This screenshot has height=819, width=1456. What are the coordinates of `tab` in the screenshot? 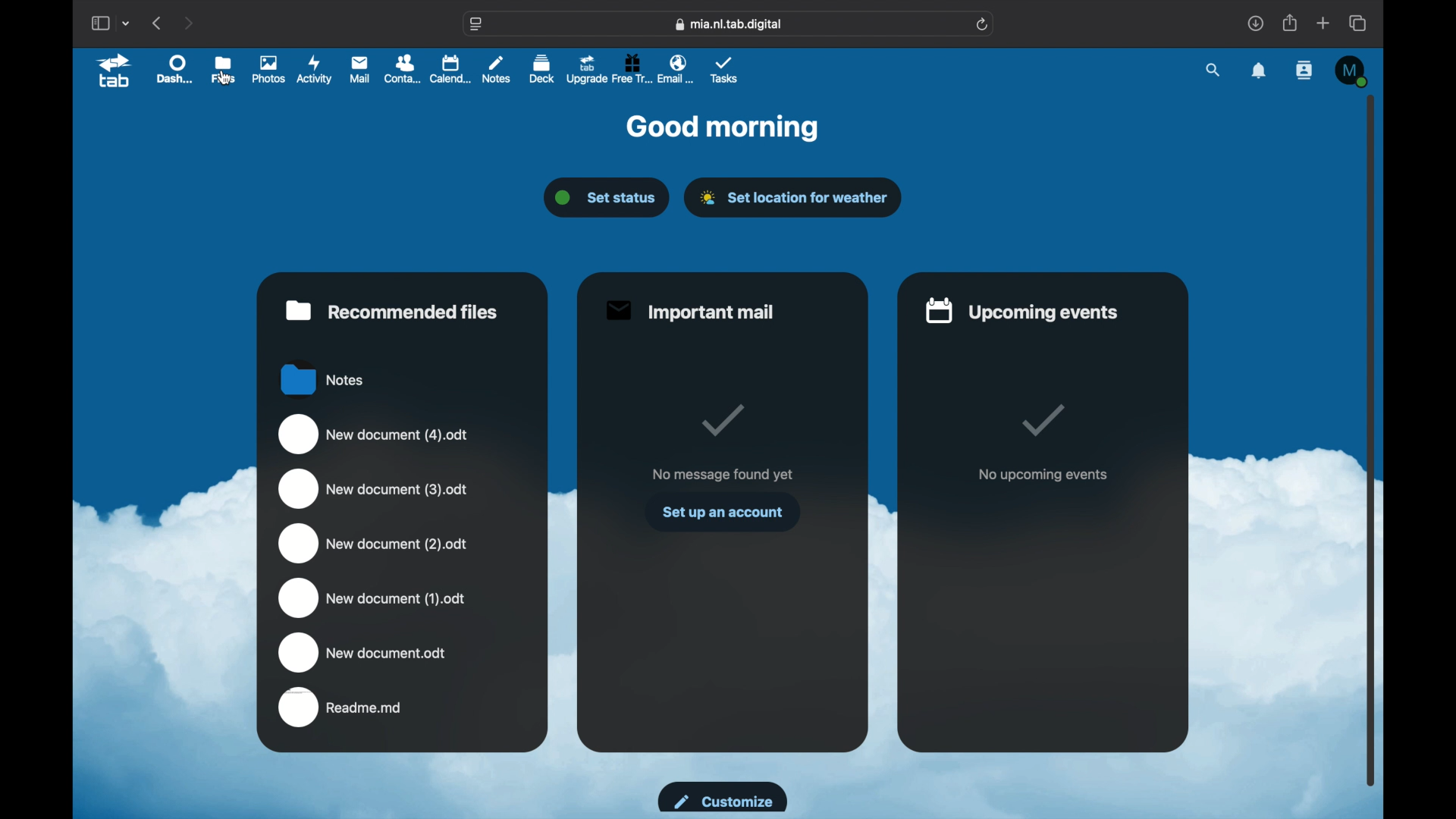 It's located at (115, 72).